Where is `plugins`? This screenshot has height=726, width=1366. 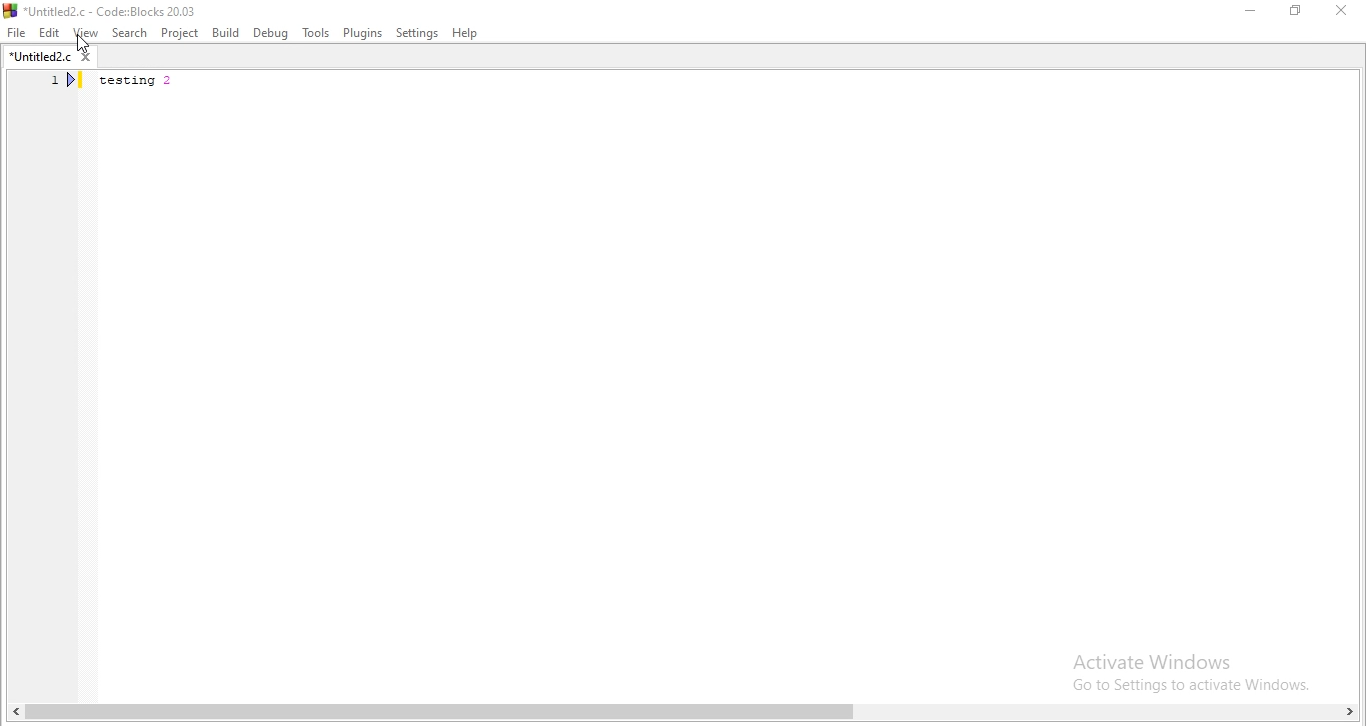
plugins is located at coordinates (362, 32).